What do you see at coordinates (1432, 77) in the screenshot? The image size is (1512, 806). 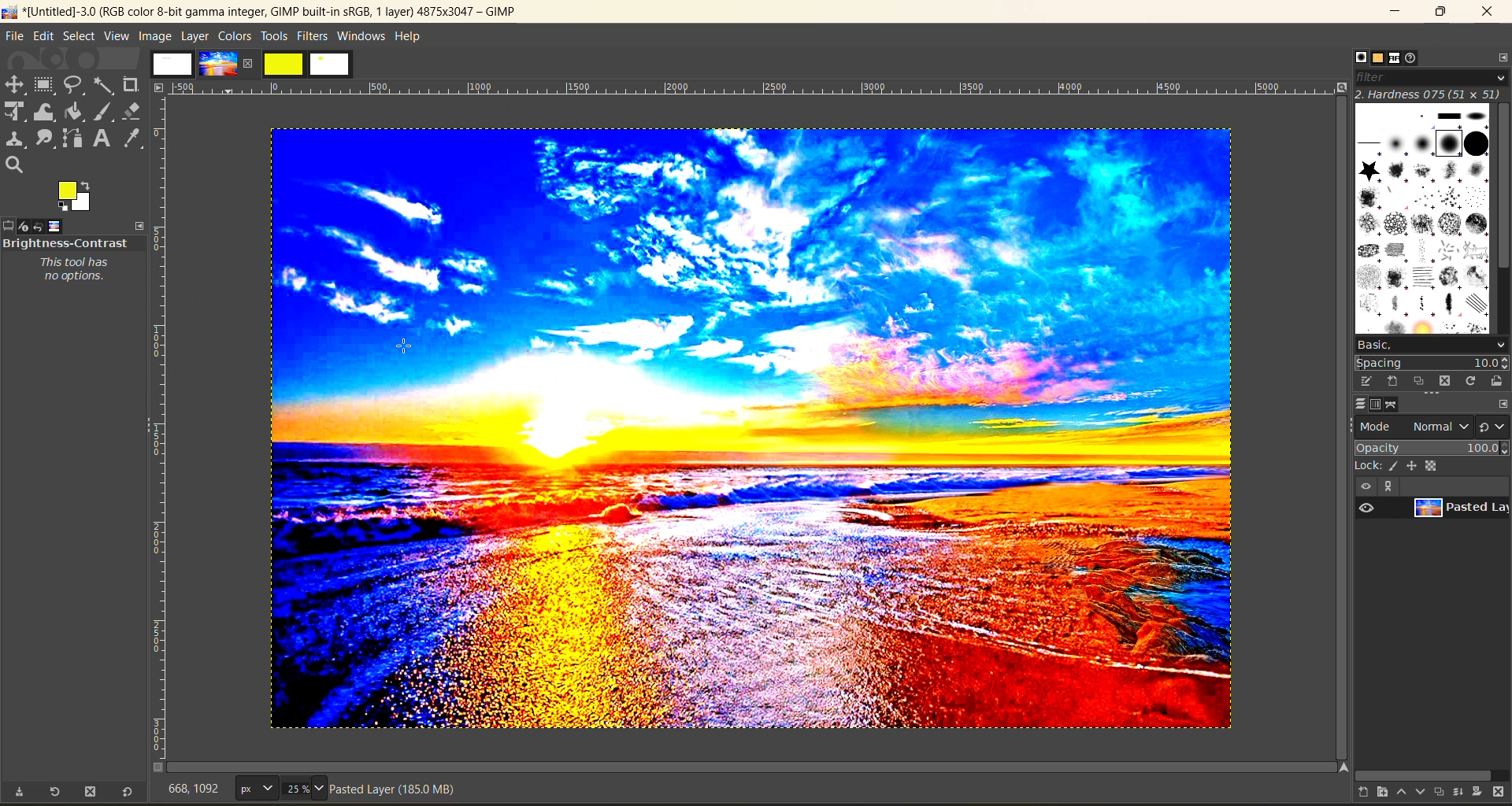 I see `filter` at bounding box center [1432, 77].